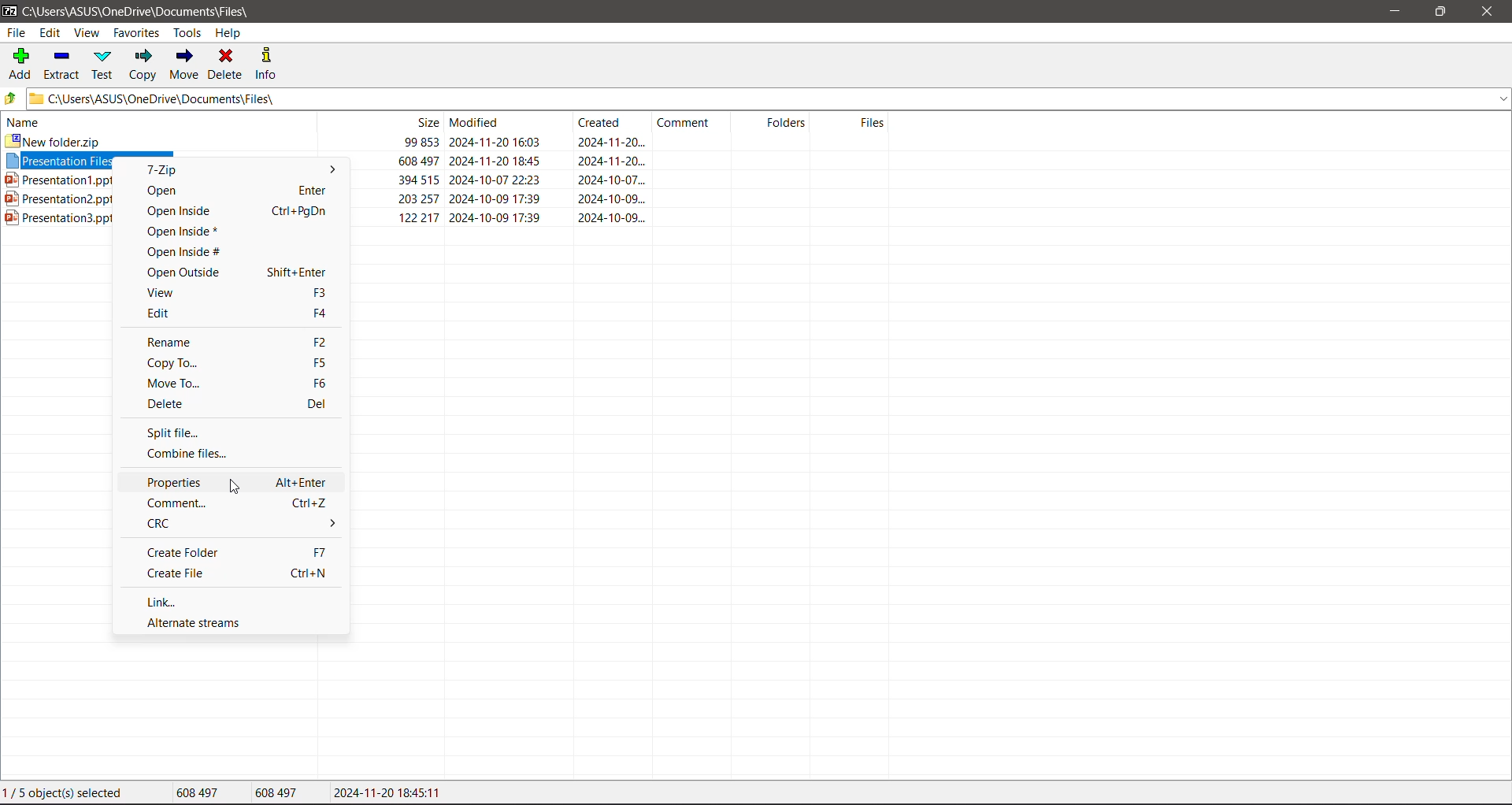 The width and height of the screenshot is (1512, 805). I want to click on More options, so click(326, 526).